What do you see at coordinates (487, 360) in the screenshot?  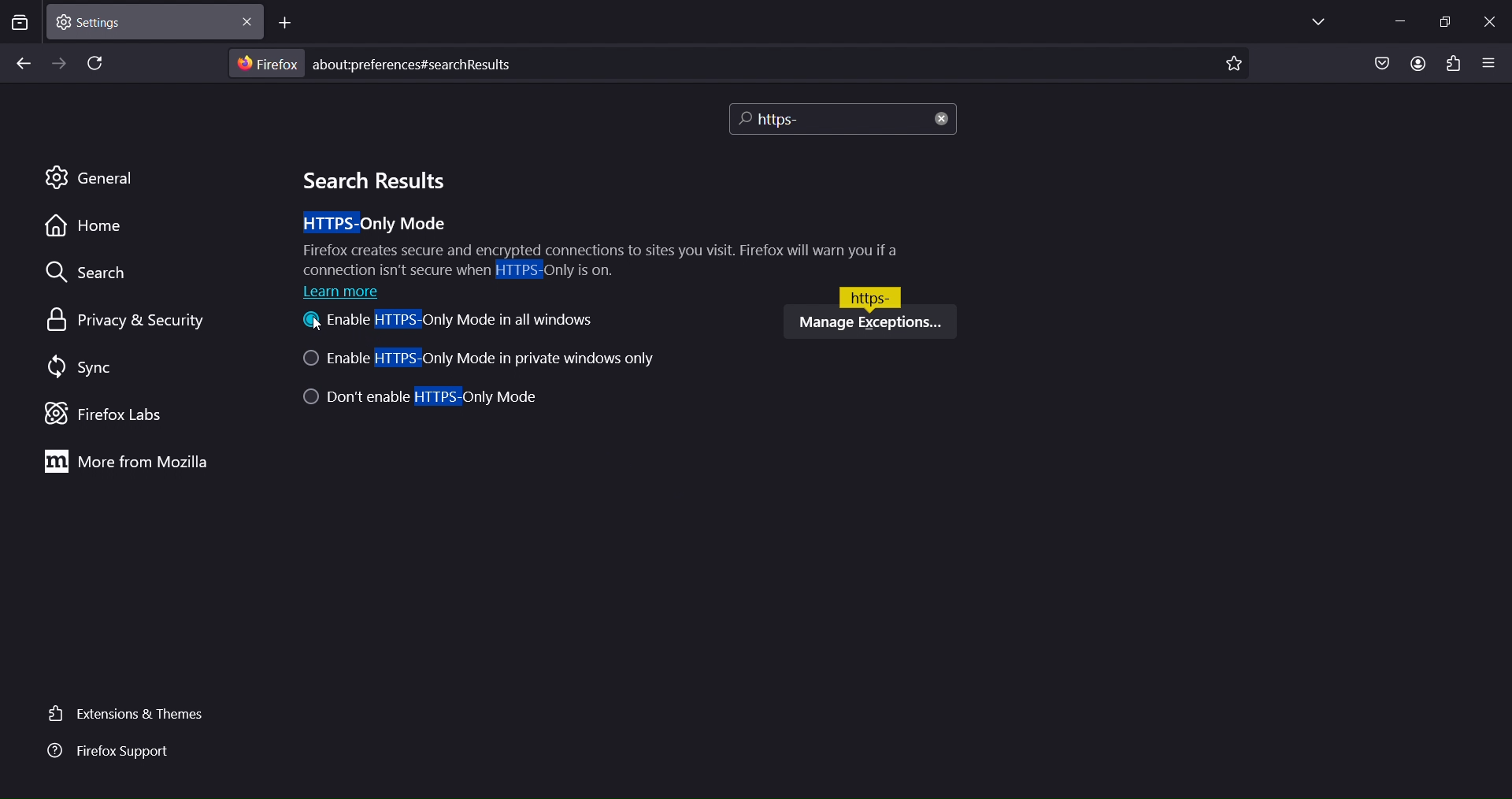 I see `Enable HTTPS-Only Mode in privatewindows` at bounding box center [487, 360].